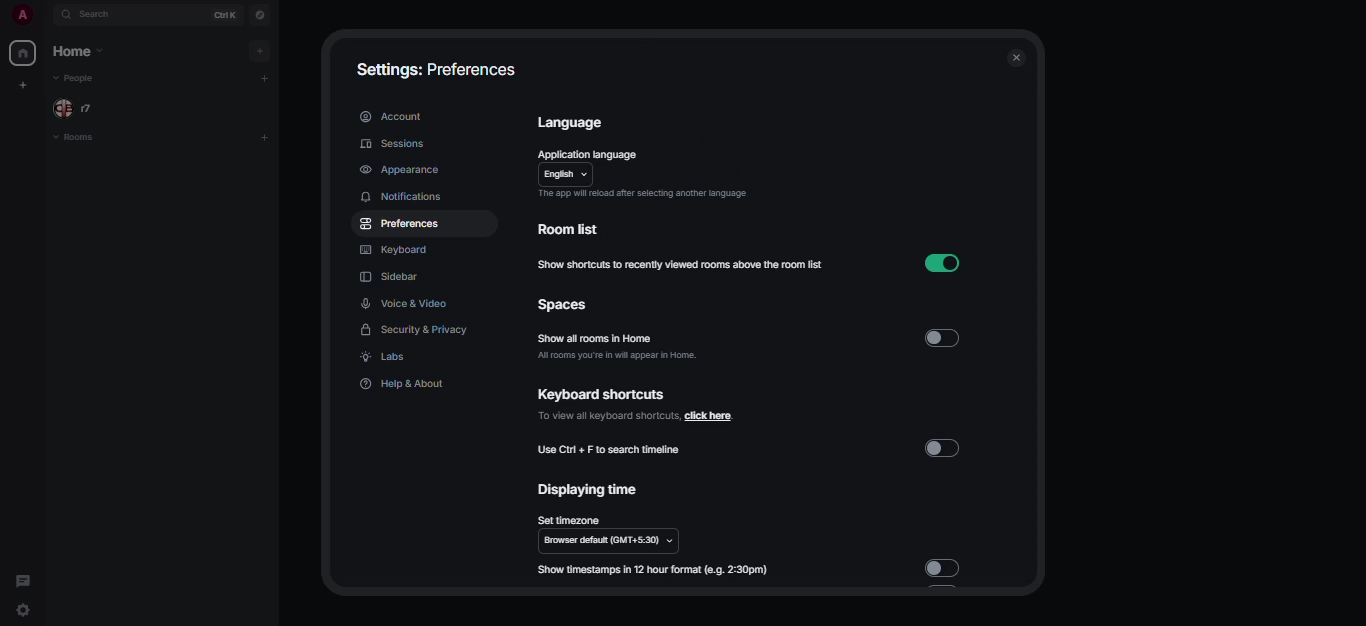 This screenshot has width=1366, height=626. Describe the element at coordinates (637, 418) in the screenshot. I see `click here` at that location.